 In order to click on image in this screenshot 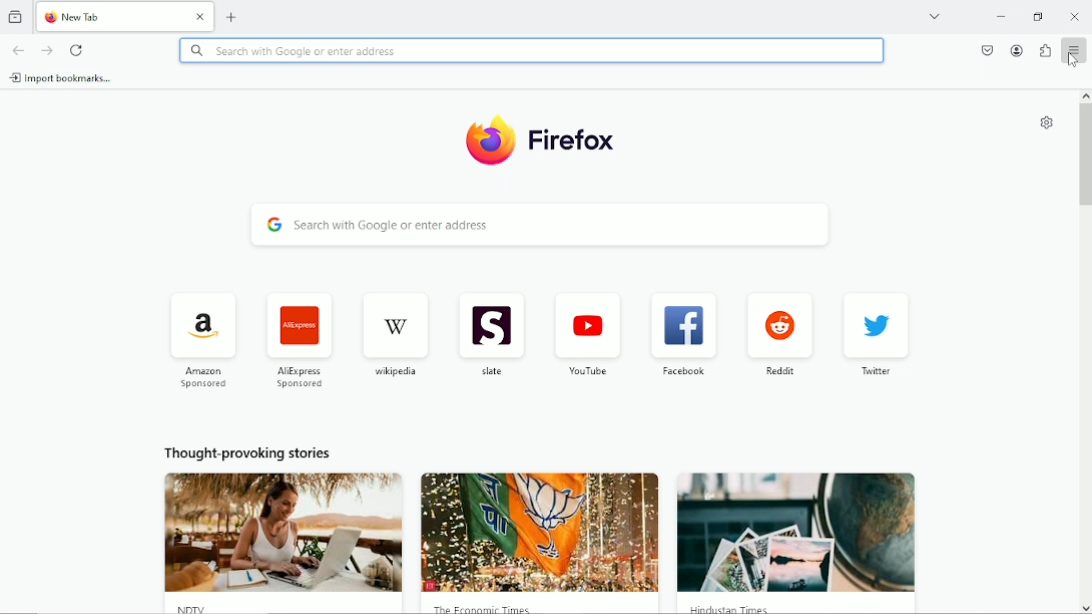, I will do `click(284, 533)`.